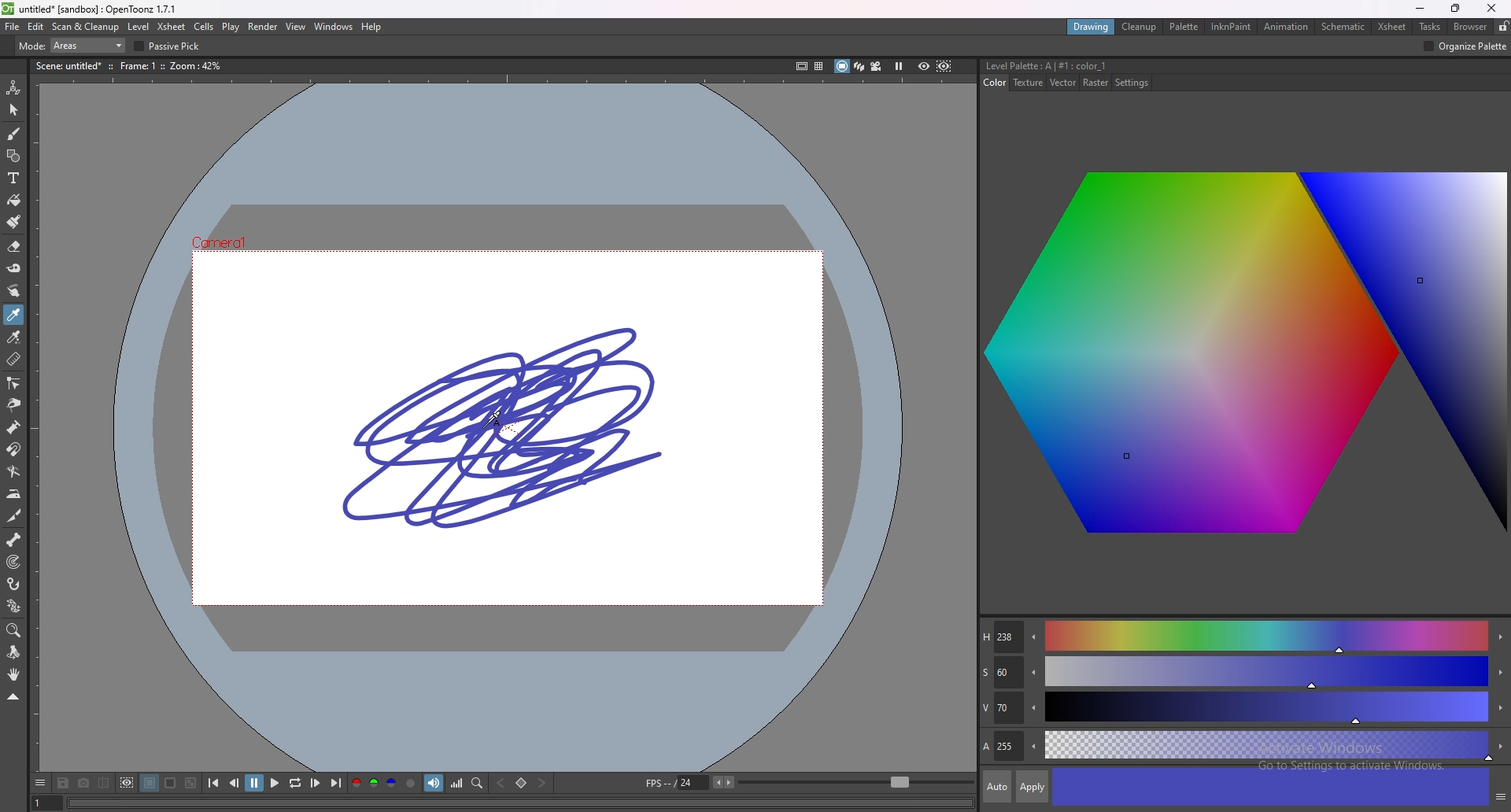 Image resolution: width=1511 pixels, height=812 pixels. I want to click on help, so click(373, 28).